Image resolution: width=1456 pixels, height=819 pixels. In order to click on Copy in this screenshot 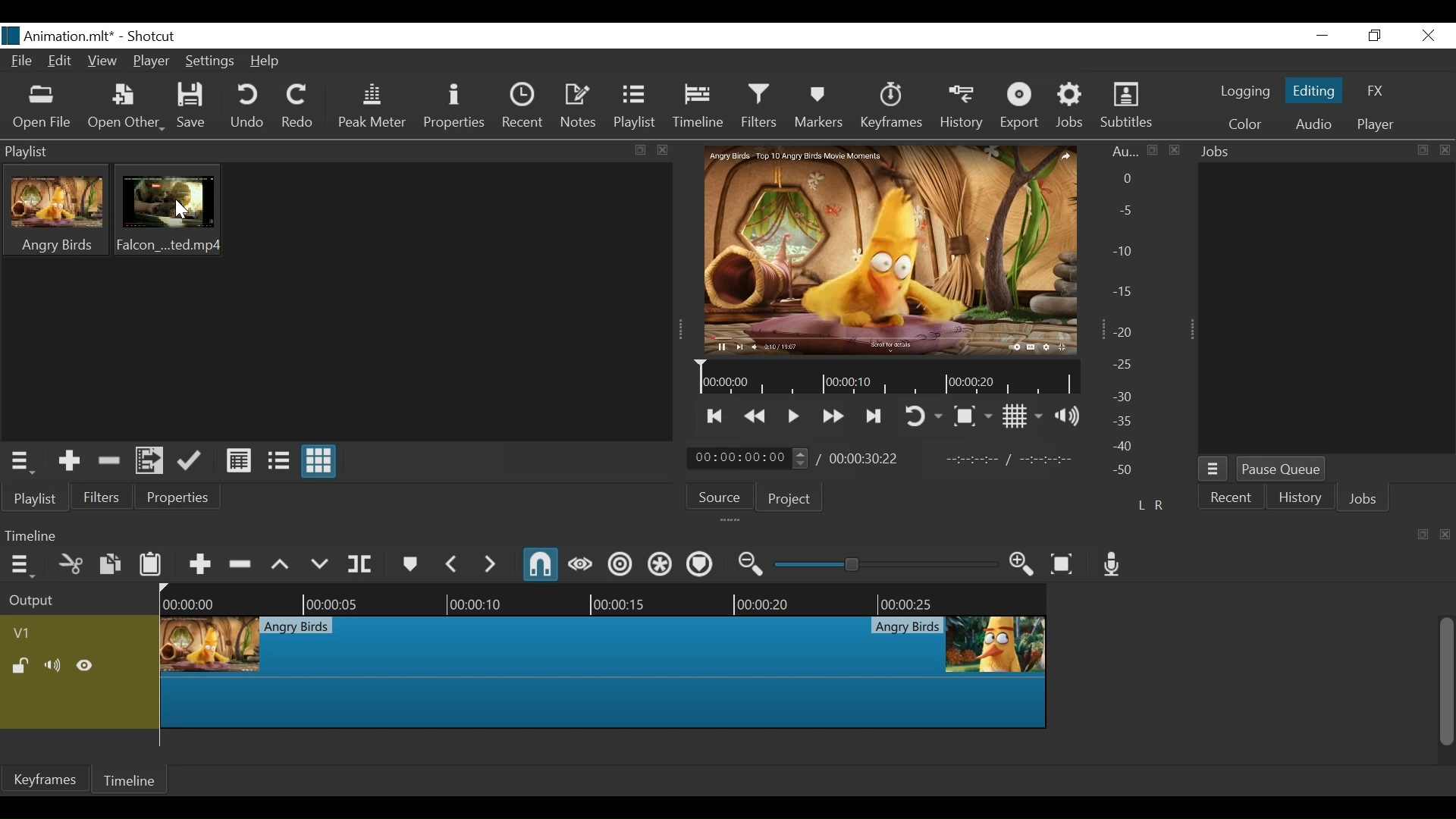, I will do `click(110, 563)`.